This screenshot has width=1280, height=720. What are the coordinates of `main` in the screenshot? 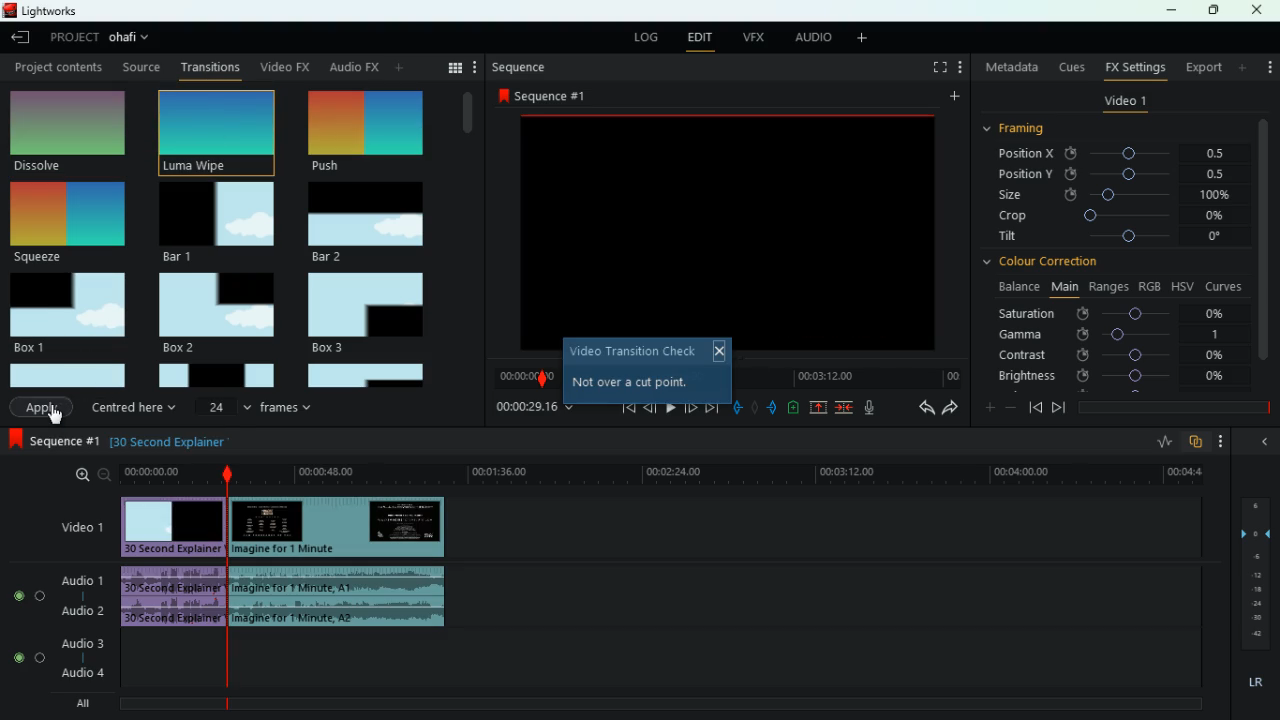 It's located at (1064, 285).